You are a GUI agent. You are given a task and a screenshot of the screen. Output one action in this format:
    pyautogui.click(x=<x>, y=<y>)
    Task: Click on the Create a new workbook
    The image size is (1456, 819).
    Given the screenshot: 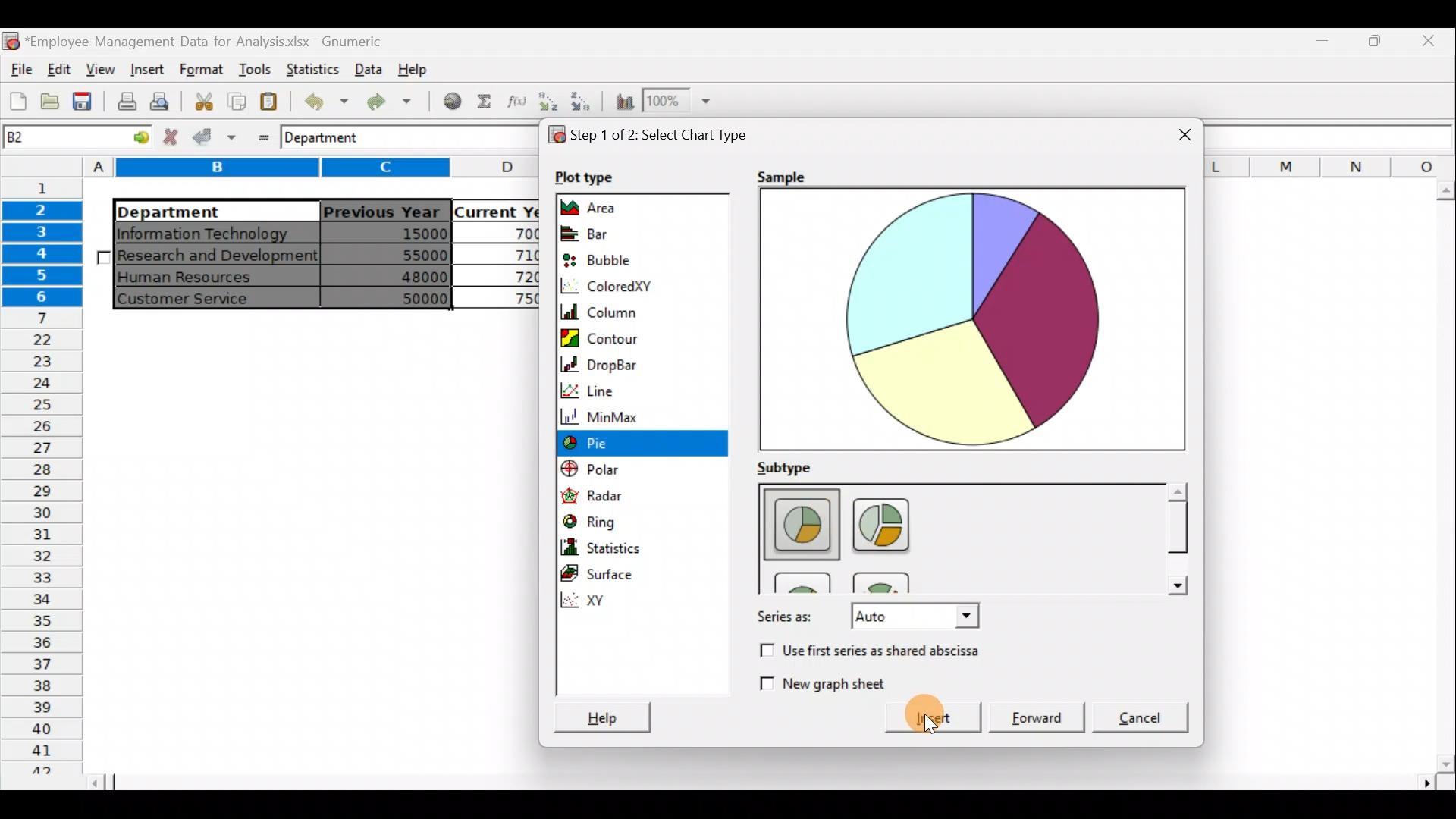 What is the action you would take?
    pyautogui.click(x=18, y=101)
    